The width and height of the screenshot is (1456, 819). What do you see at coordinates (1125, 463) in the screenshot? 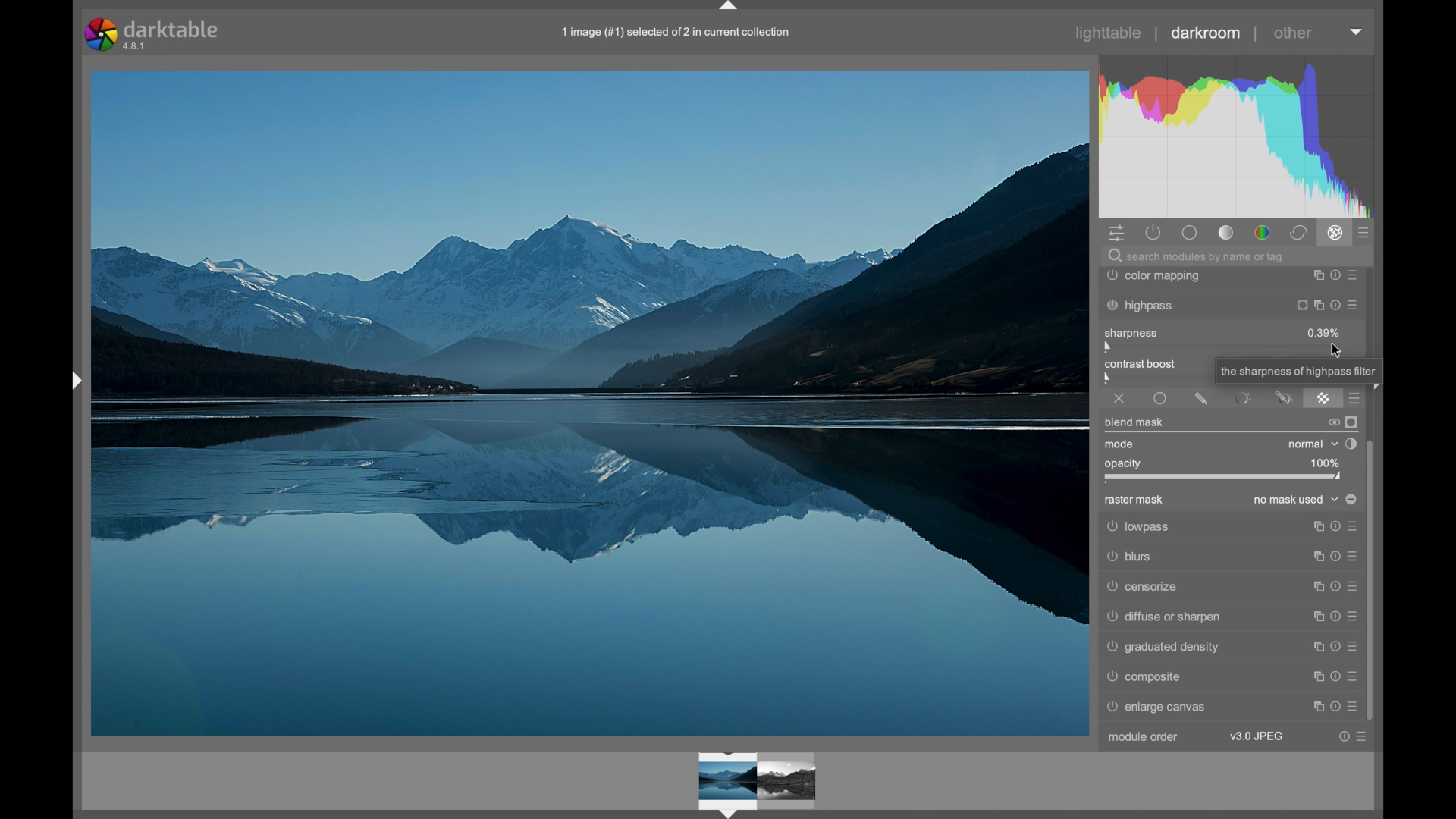
I see `opacity` at bounding box center [1125, 463].